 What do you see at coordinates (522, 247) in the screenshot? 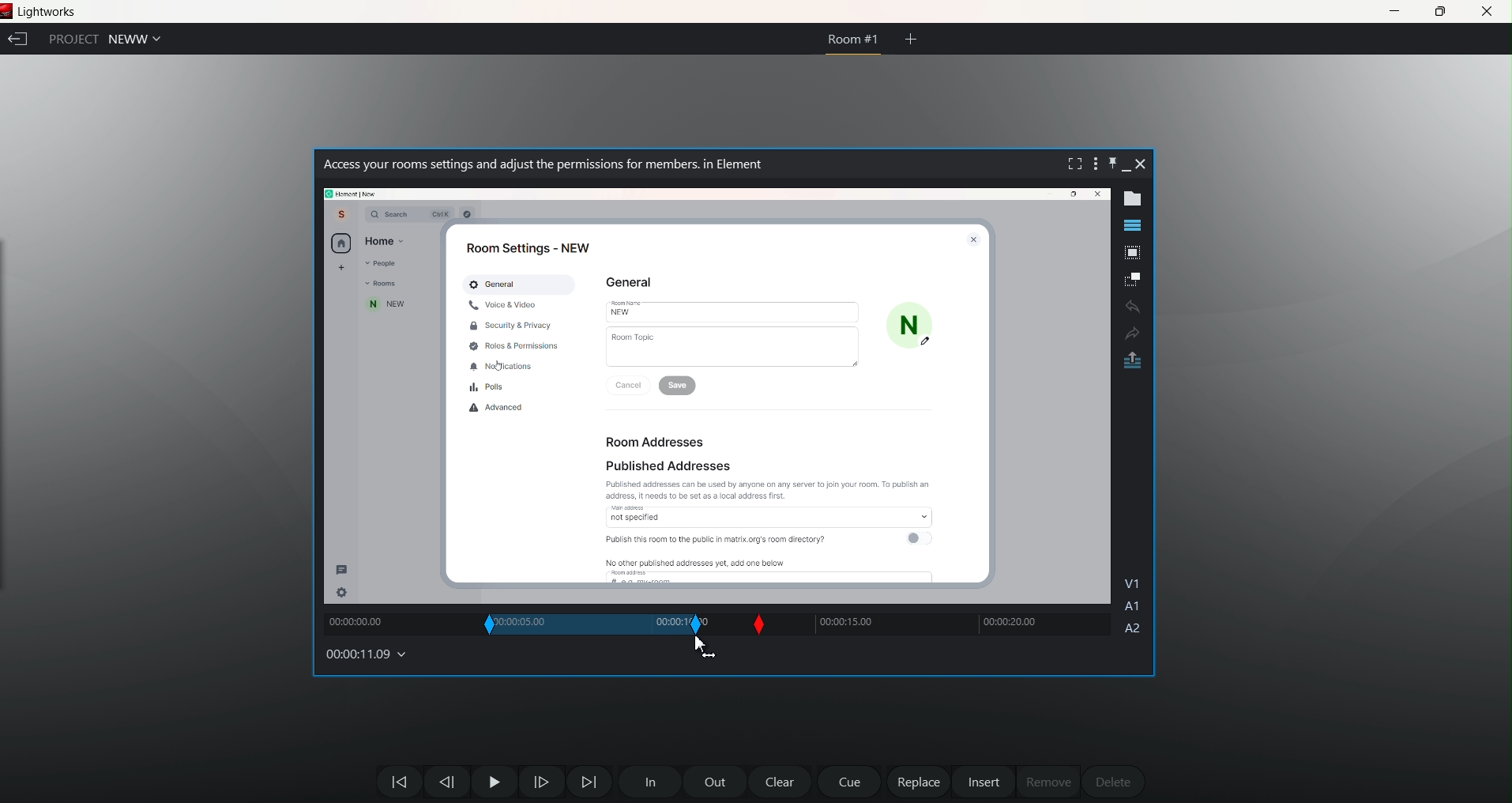
I see `Room Settings - NEW` at bounding box center [522, 247].